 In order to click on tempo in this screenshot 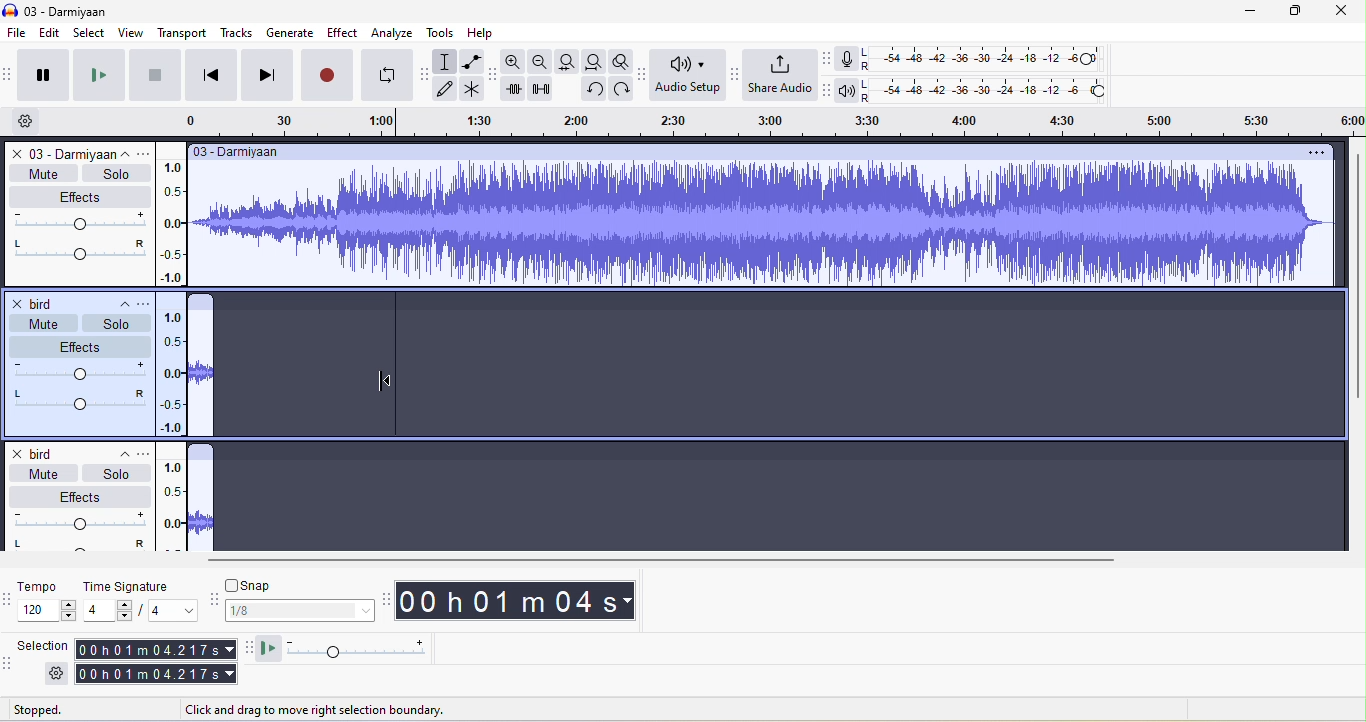, I will do `click(44, 588)`.